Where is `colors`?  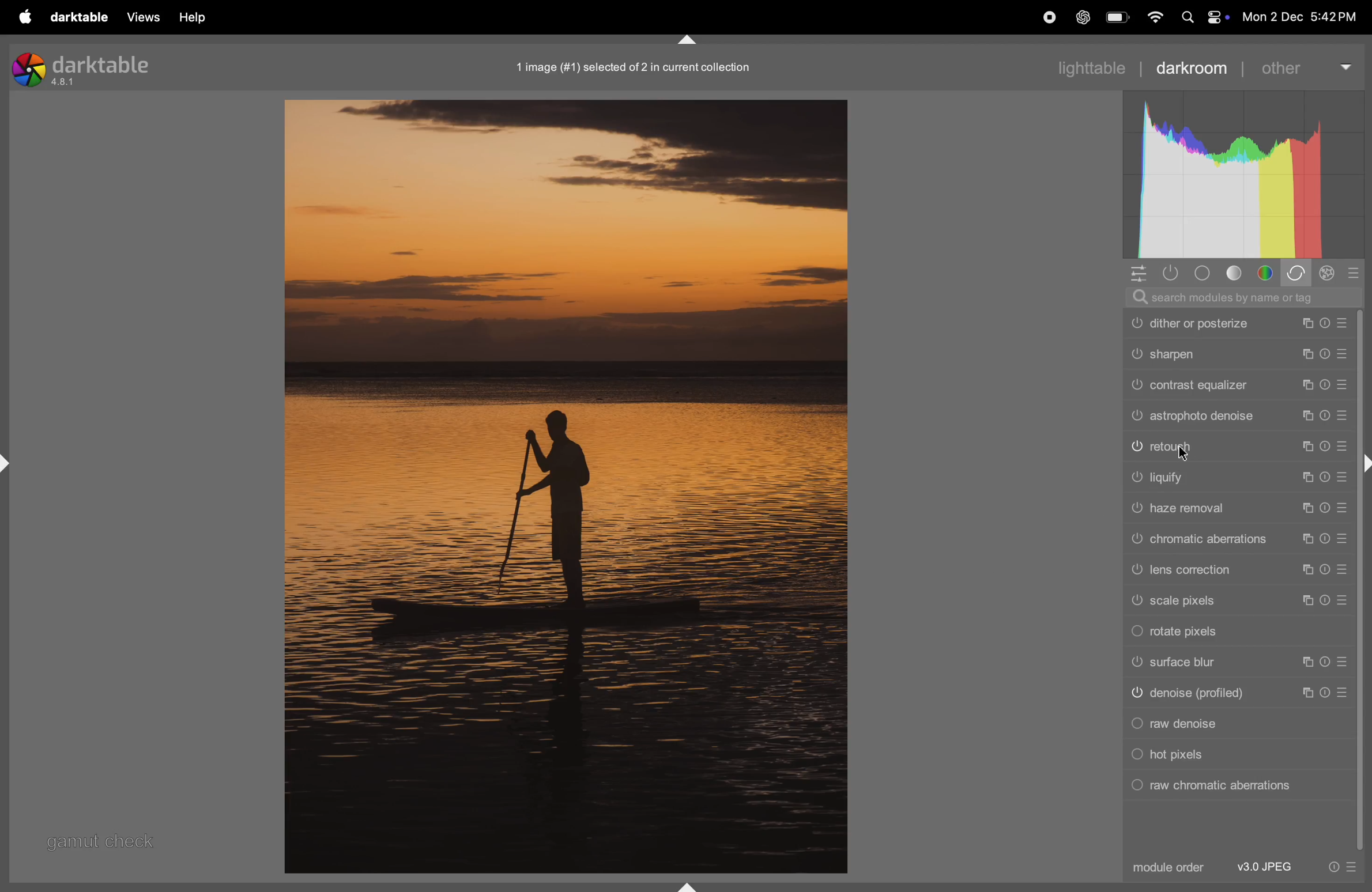
colors is located at coordinates (1268, 273).